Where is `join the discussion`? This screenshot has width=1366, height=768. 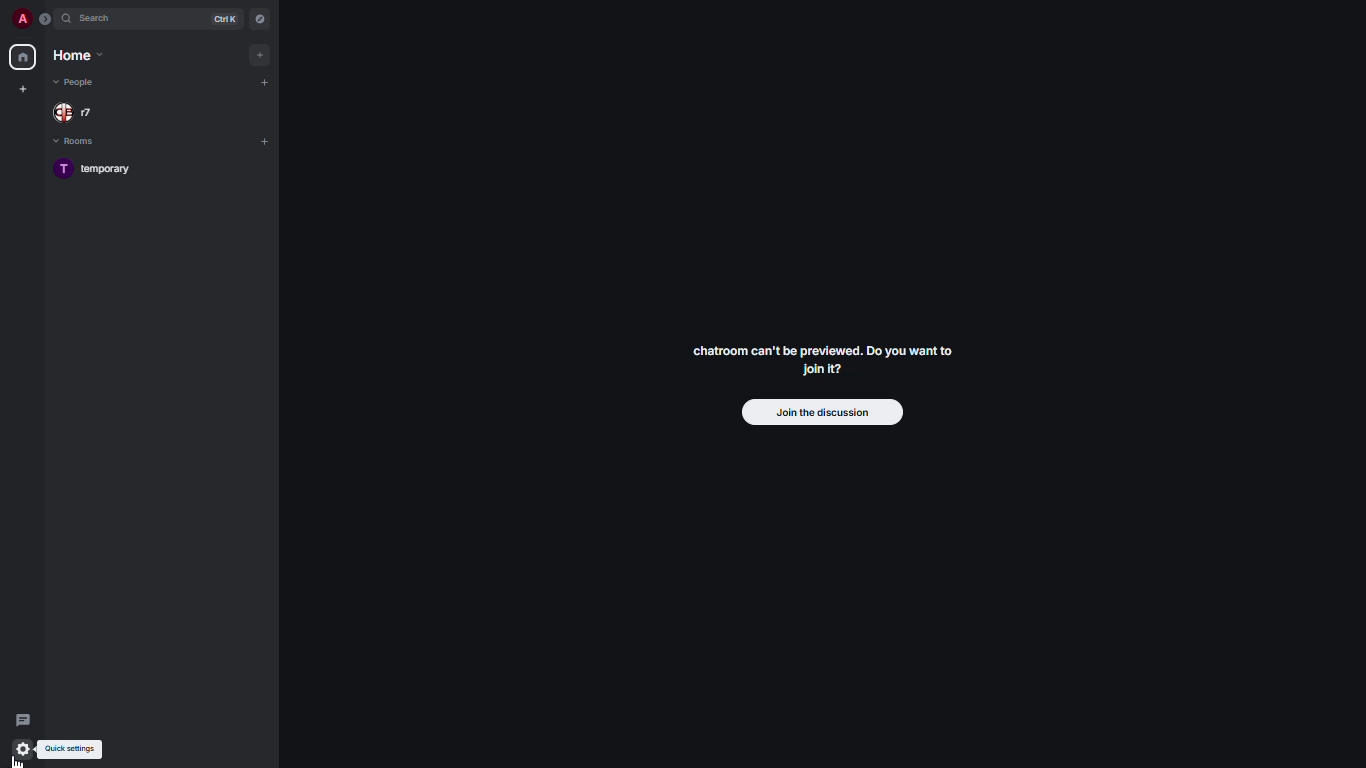 join the discussion is located at coordinates (818, 413).